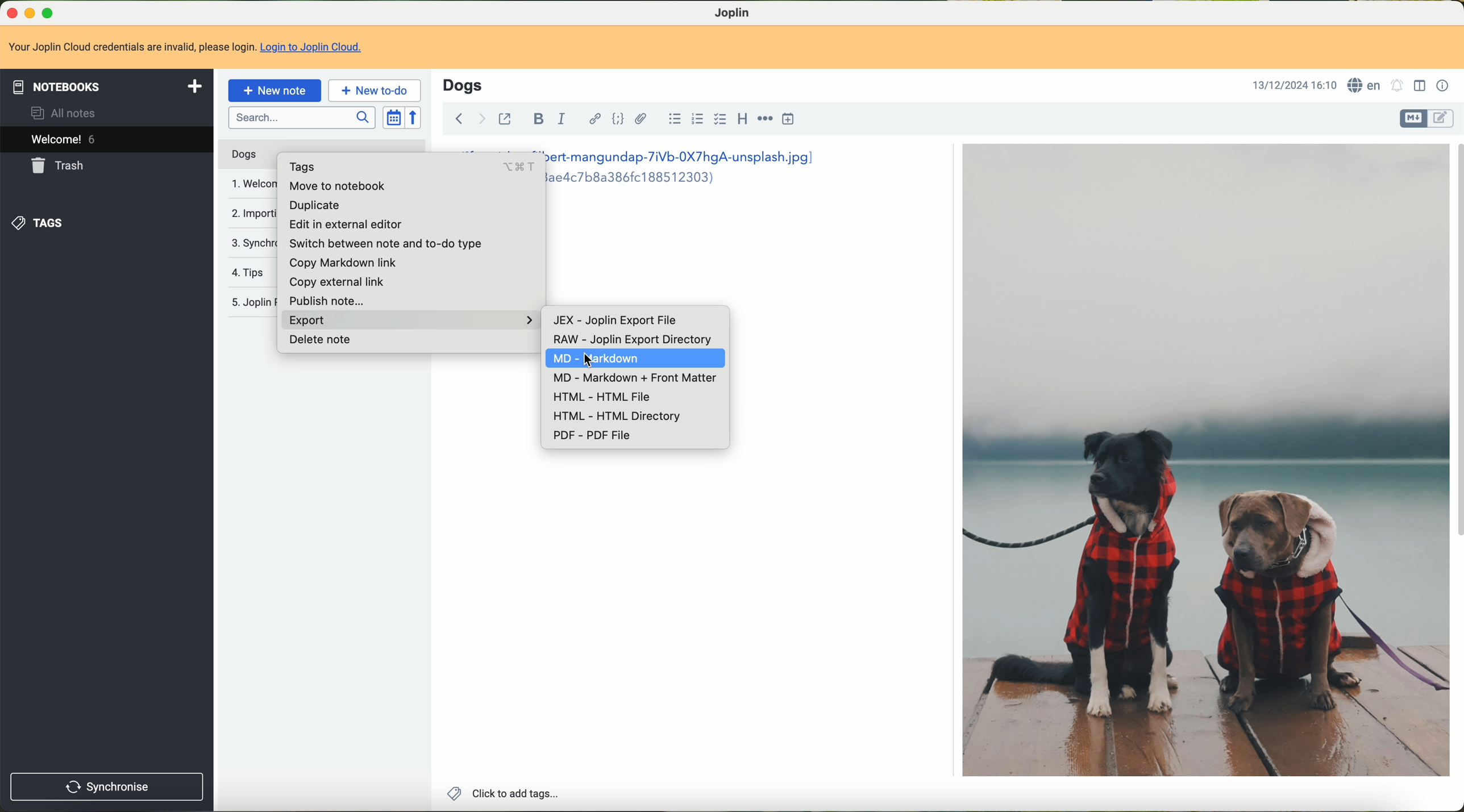  Describe the element at coordinates (584, 359) in the screenshot. I see `cursor` at that location.